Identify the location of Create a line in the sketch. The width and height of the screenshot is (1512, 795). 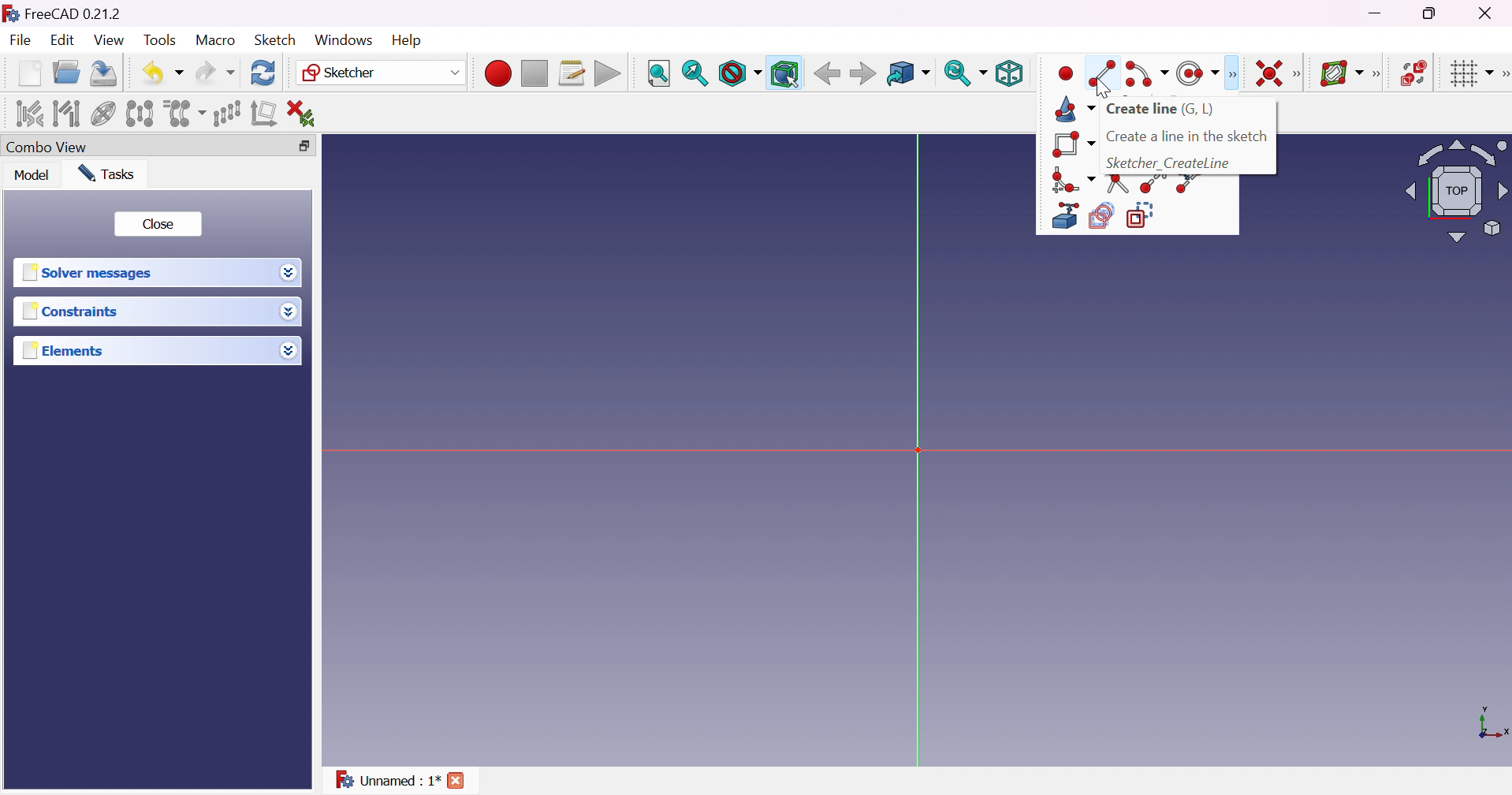
(1187, 136).